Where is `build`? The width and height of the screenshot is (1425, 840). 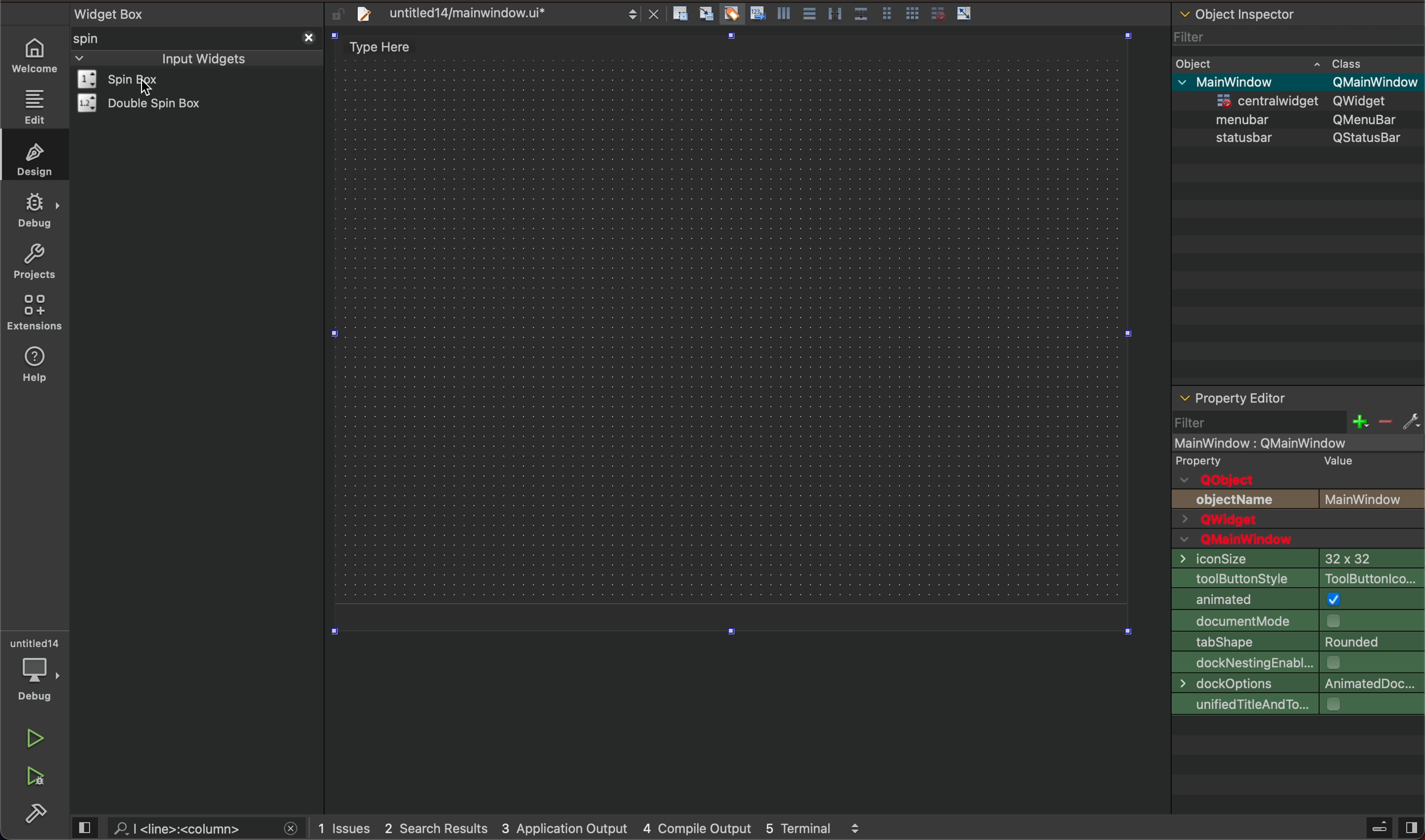
build is located at coordinates (38, 814).